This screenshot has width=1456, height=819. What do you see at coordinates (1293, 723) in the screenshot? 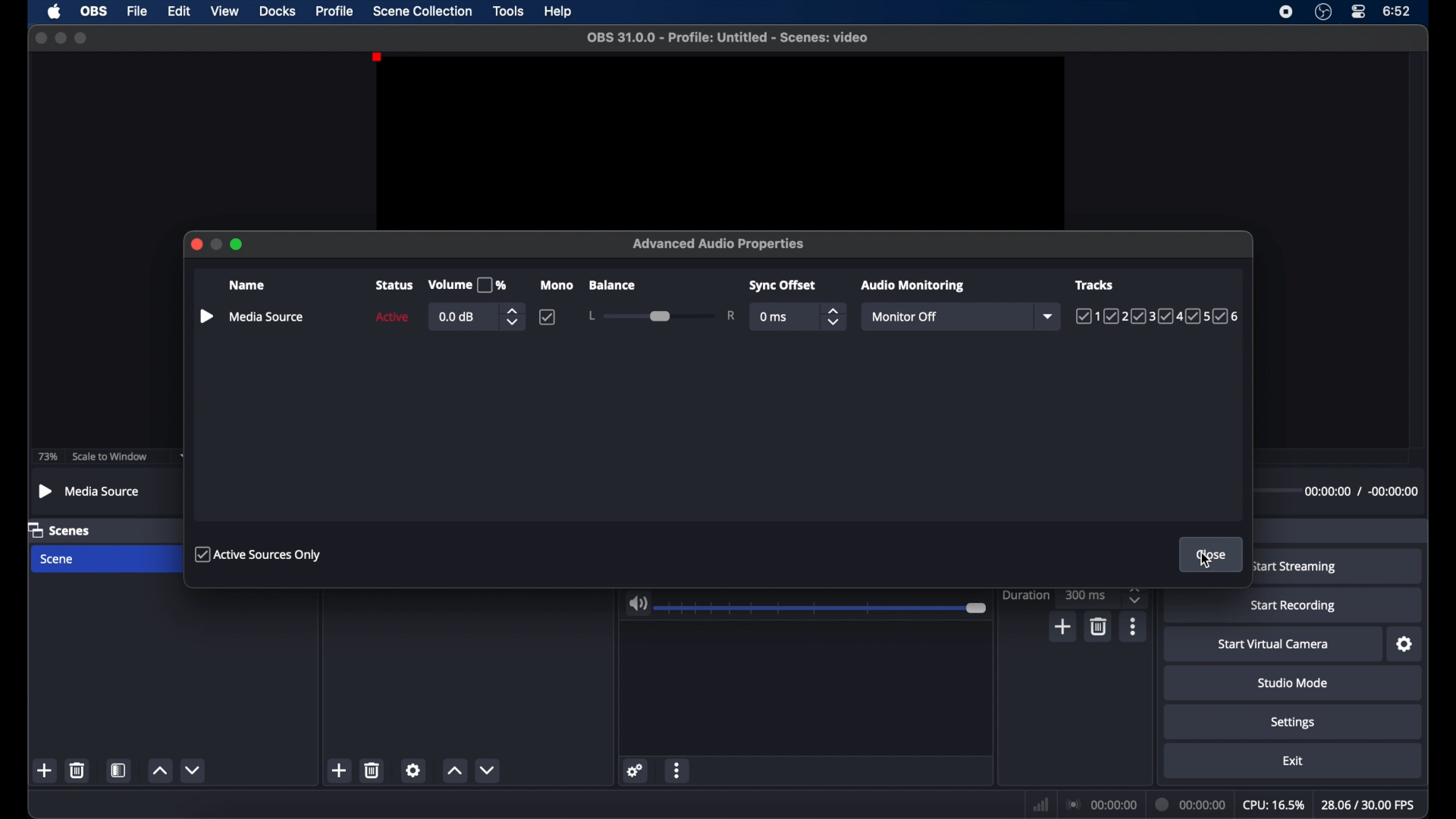
I see `settings` at bounding box center [1293, 723].